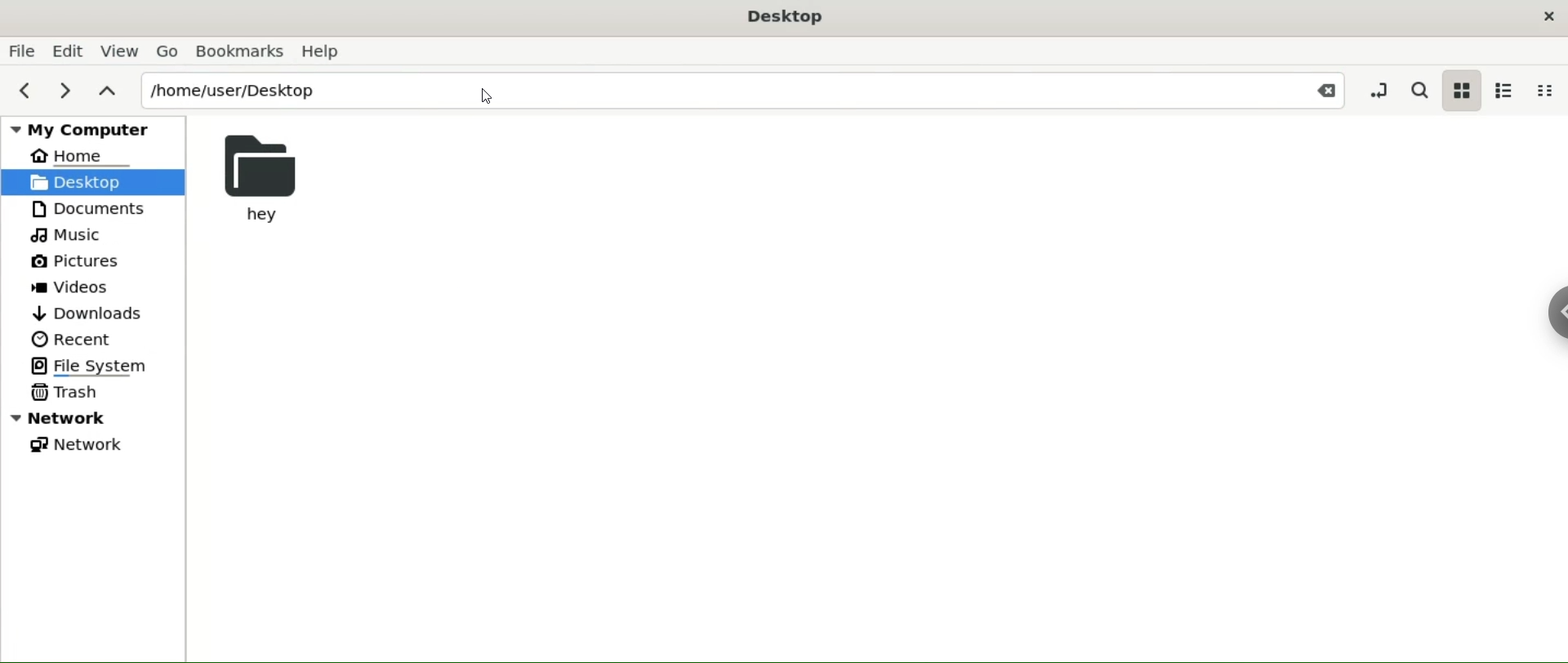  I want to click on downloads, so click(91, 314).